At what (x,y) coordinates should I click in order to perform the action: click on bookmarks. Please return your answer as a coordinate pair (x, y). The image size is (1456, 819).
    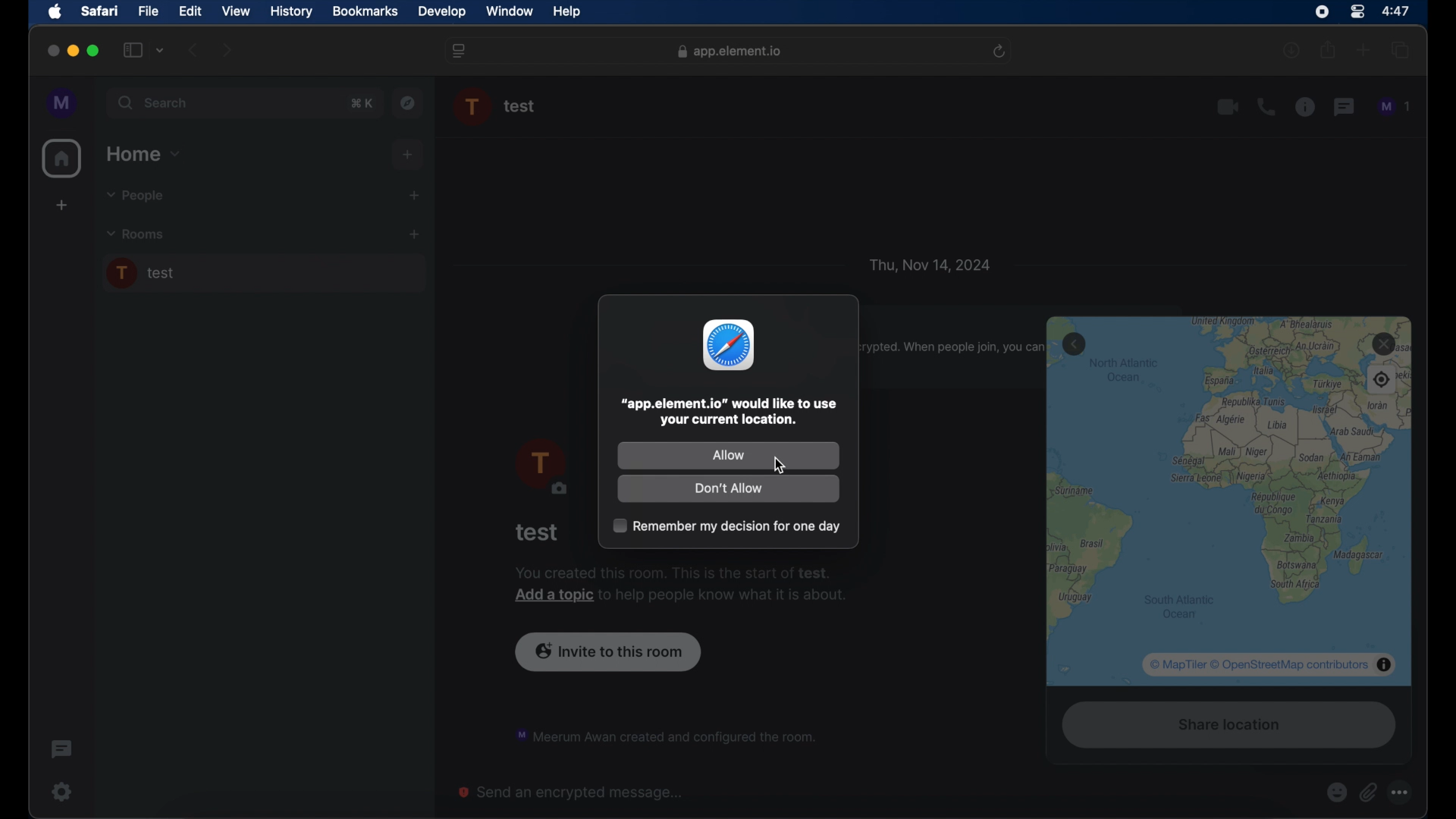
    Looking at the image, I should click on (365, 11).